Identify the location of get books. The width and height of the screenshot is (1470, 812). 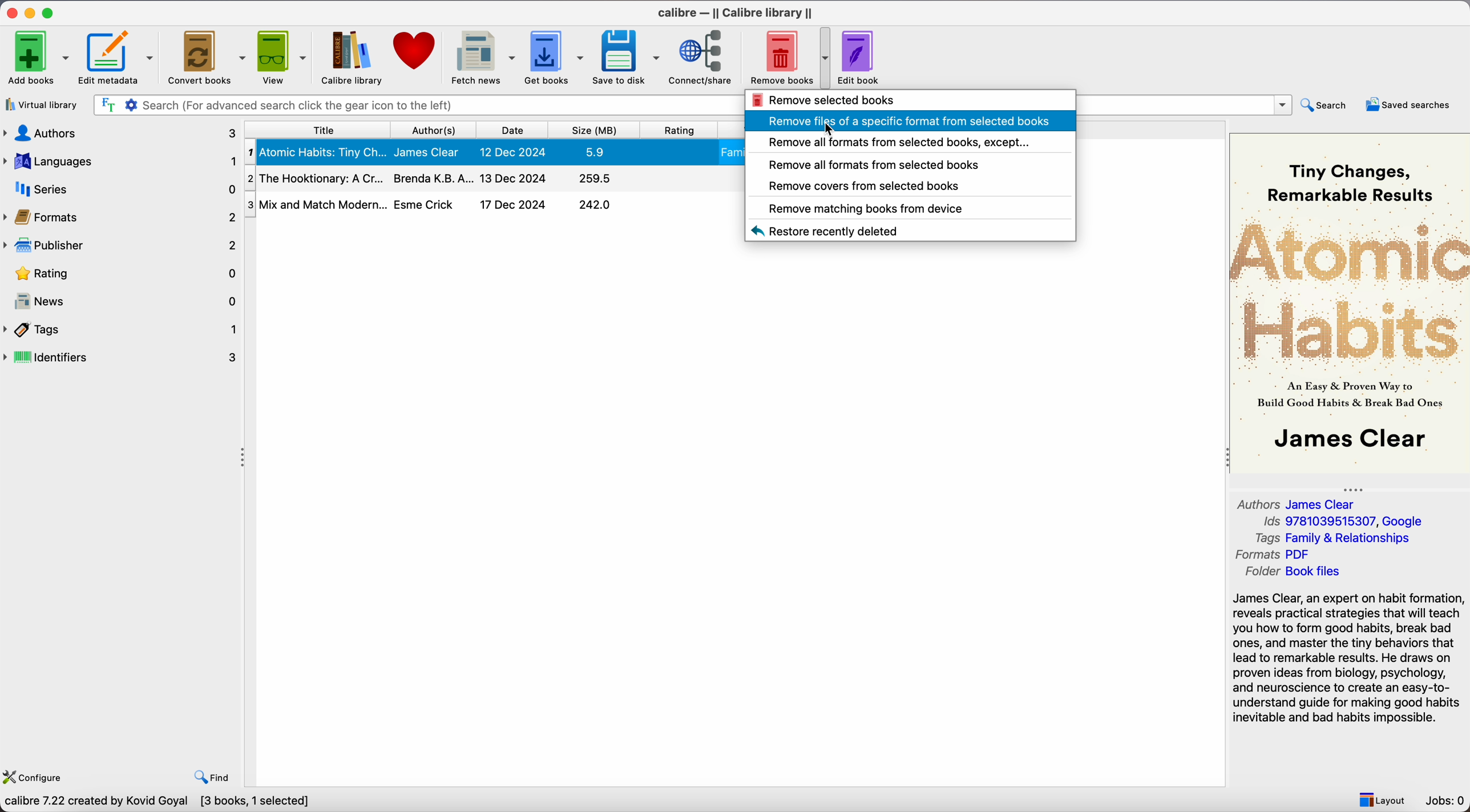
(555, 57).